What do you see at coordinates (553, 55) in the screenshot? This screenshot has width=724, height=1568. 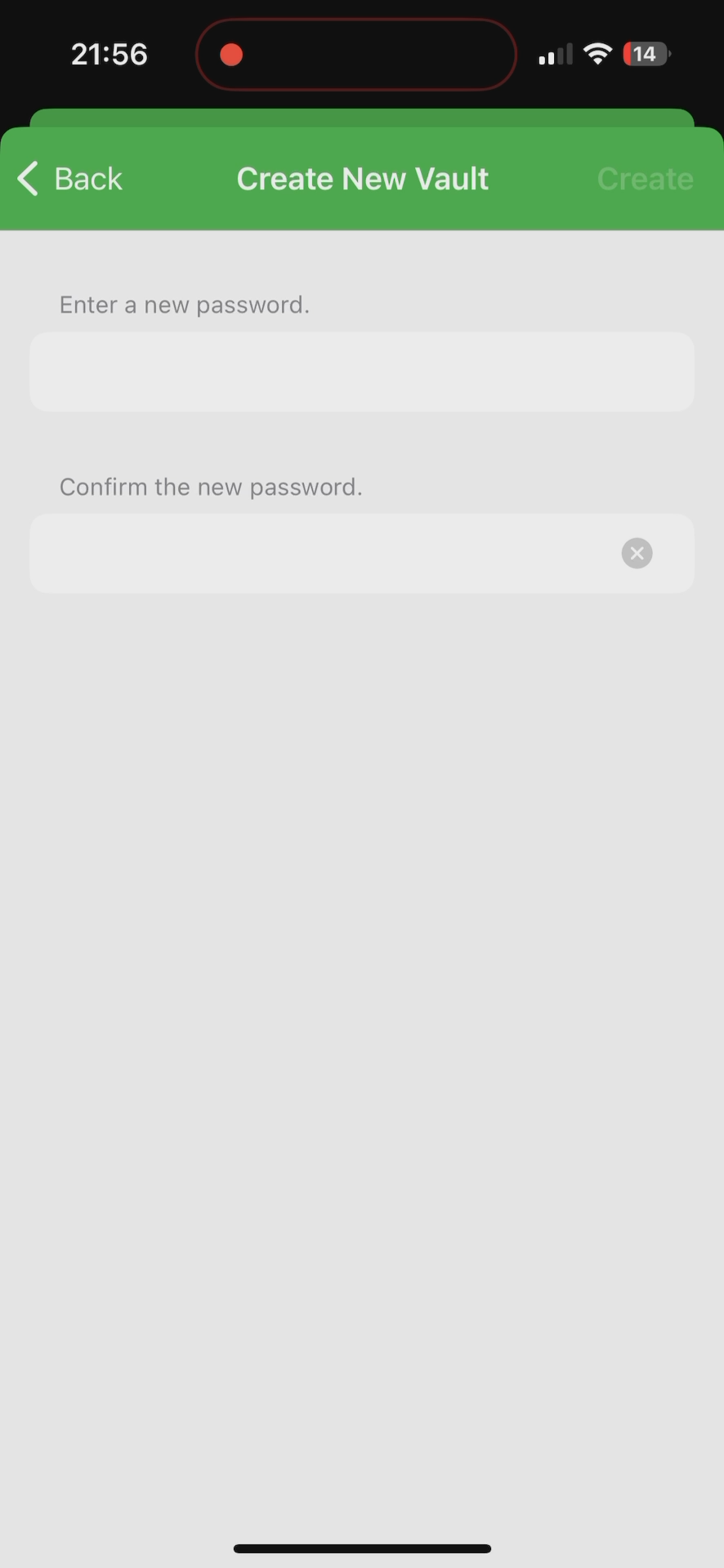 I see `signal` at bounding box center [553, 55].